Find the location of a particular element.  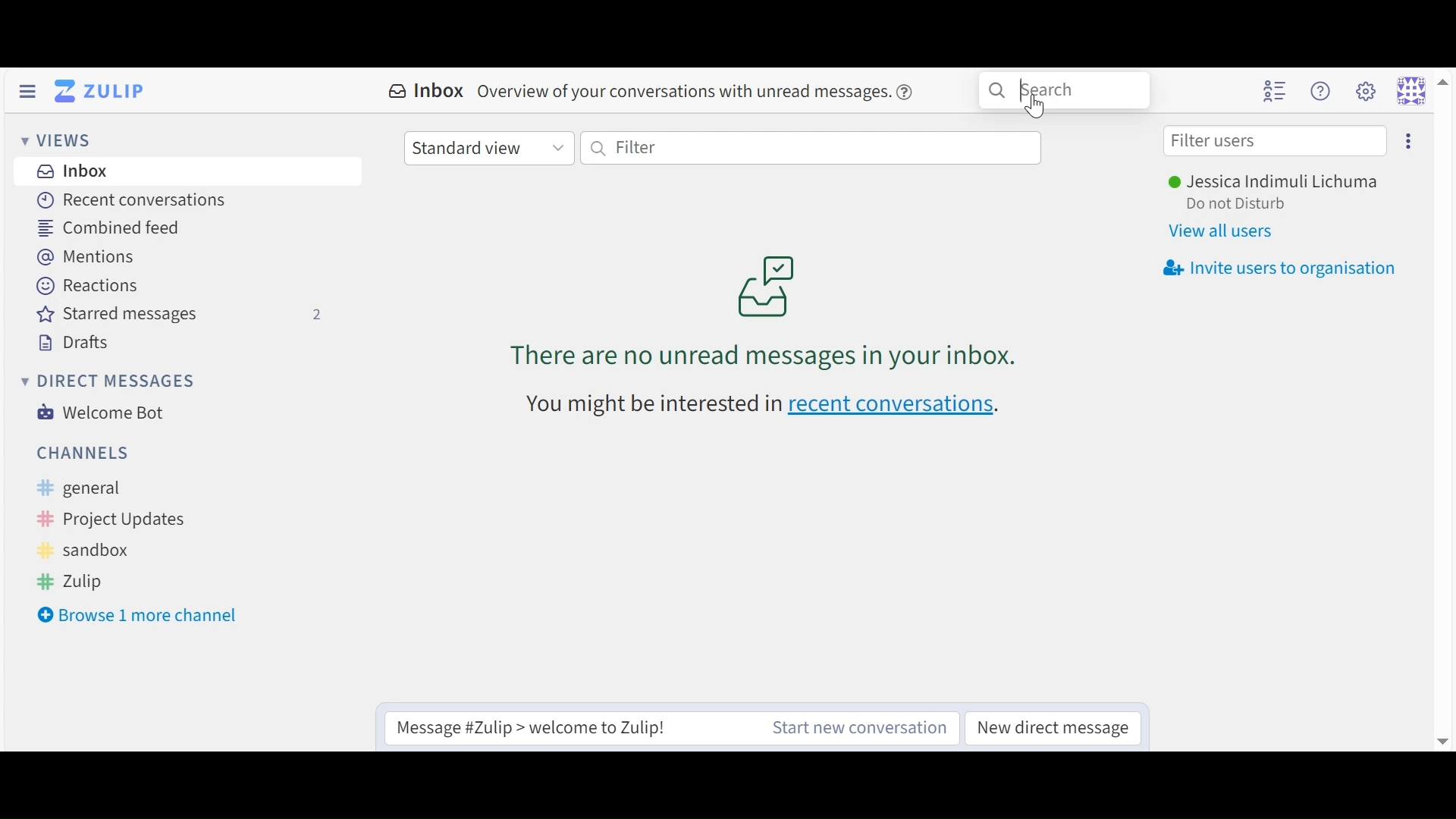

Channels is located at coordinates (83, 453).